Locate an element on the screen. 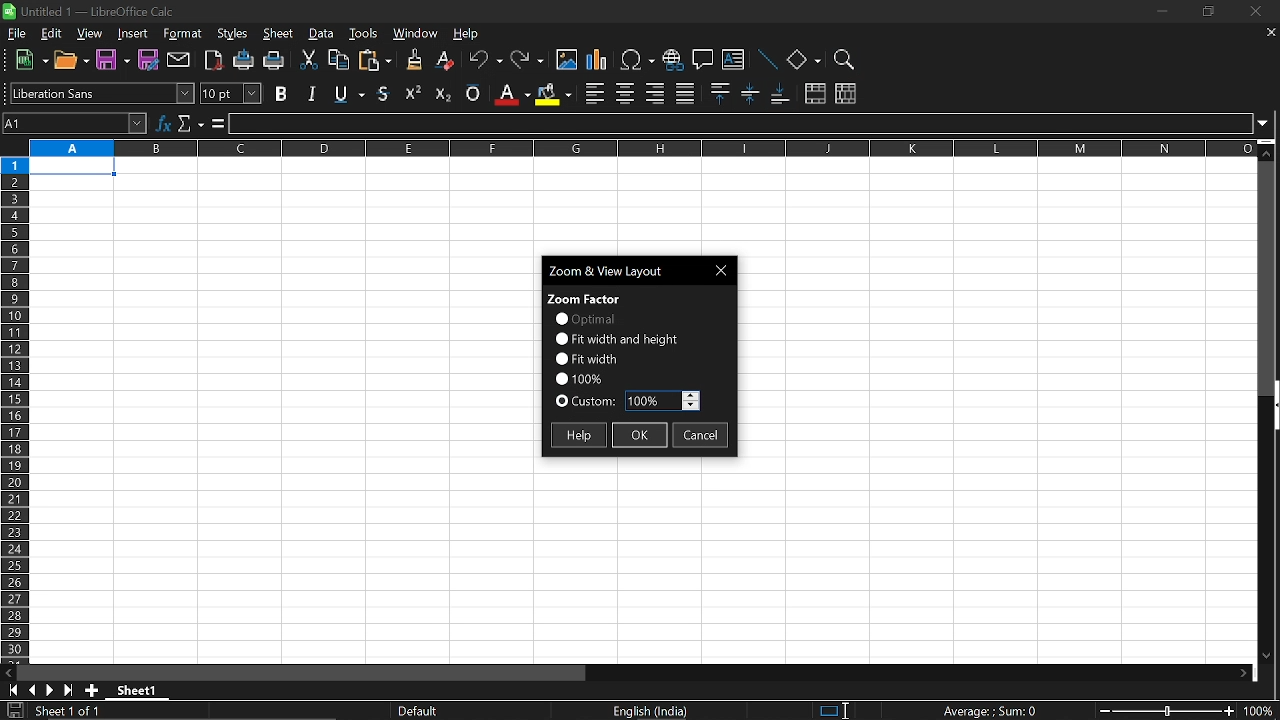 This screenshot has height=720, width=1280. ok is located at coordinates (640, 437).